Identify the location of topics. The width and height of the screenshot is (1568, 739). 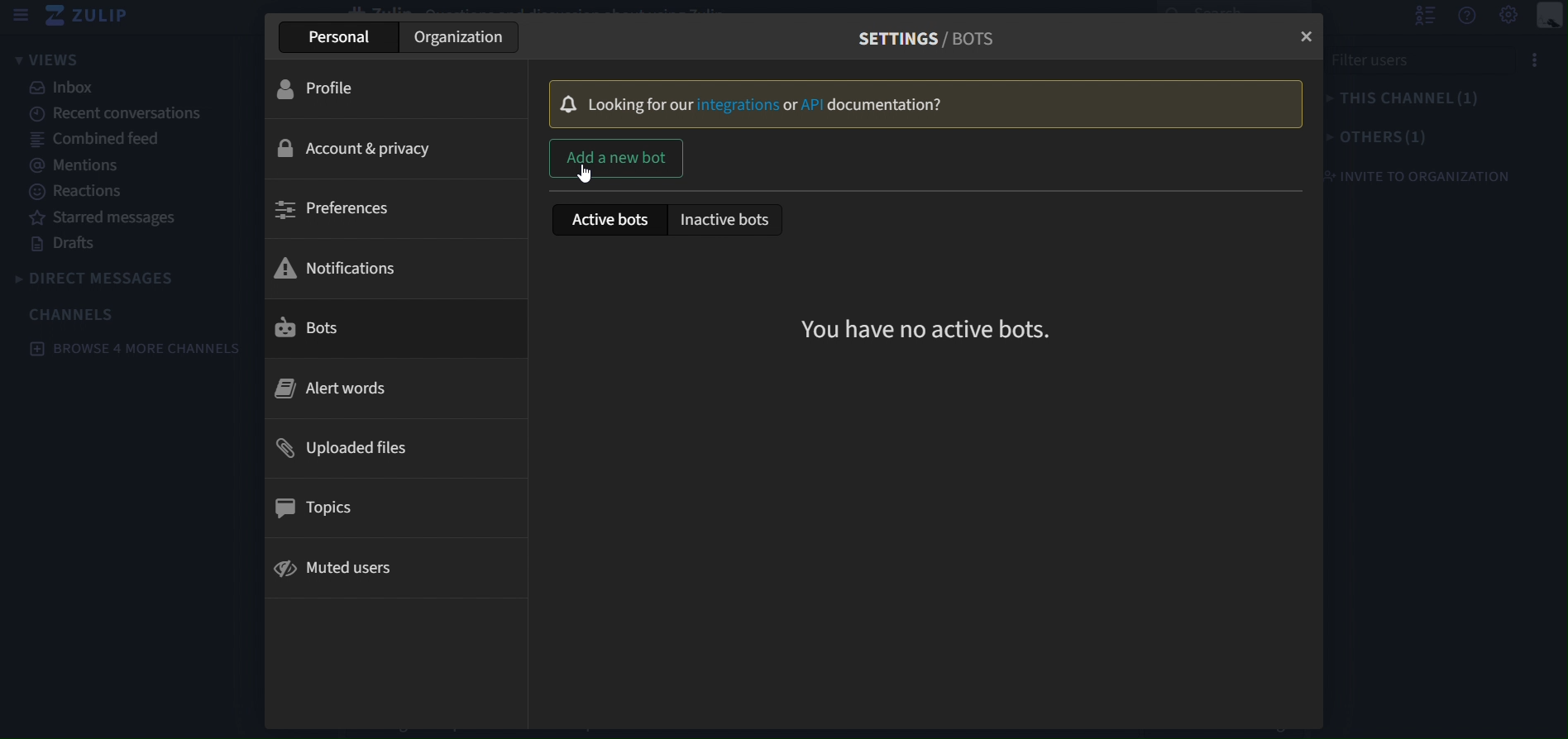
(381, 508).